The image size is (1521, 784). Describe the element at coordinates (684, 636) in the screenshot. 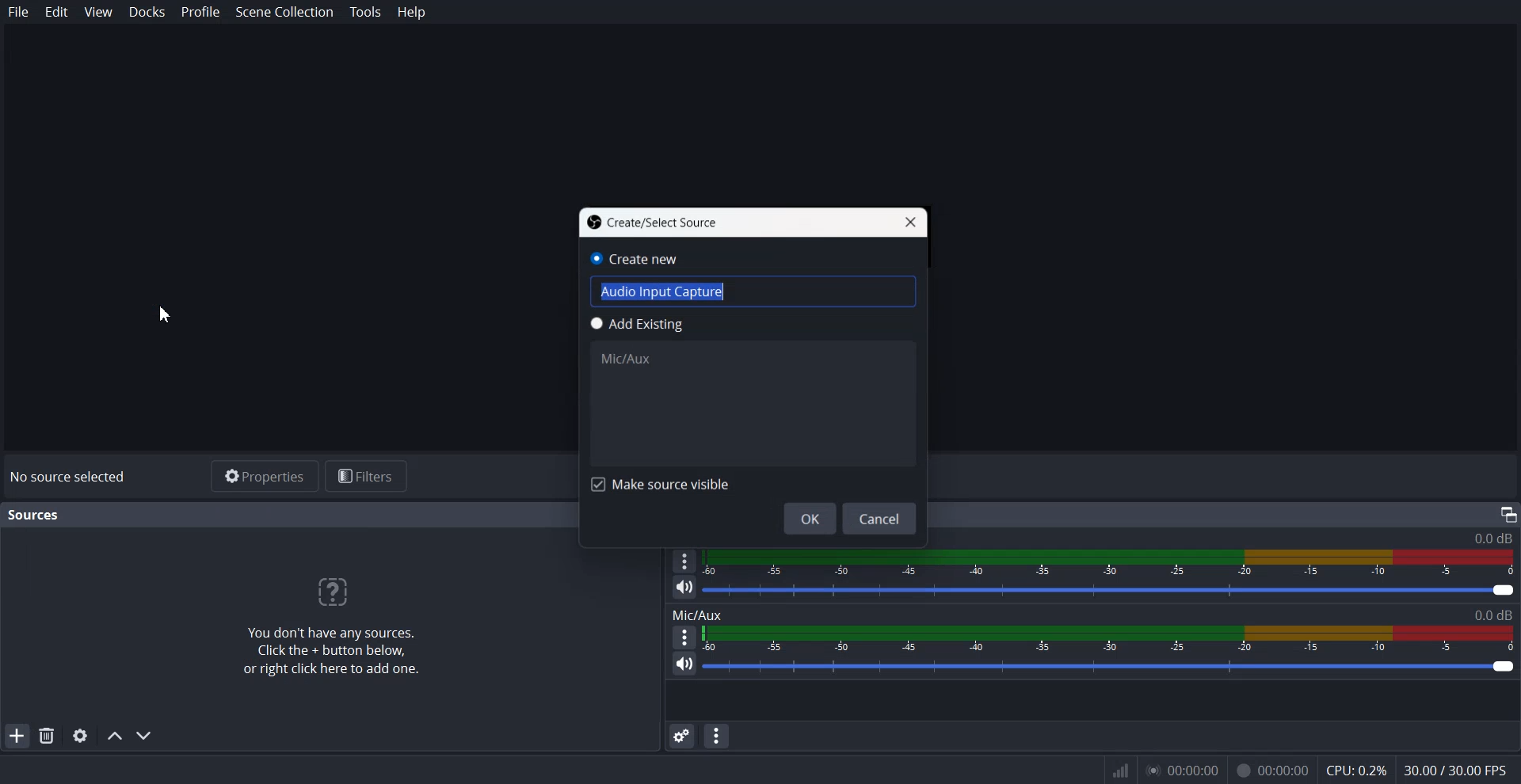

I see `More ` at that location.